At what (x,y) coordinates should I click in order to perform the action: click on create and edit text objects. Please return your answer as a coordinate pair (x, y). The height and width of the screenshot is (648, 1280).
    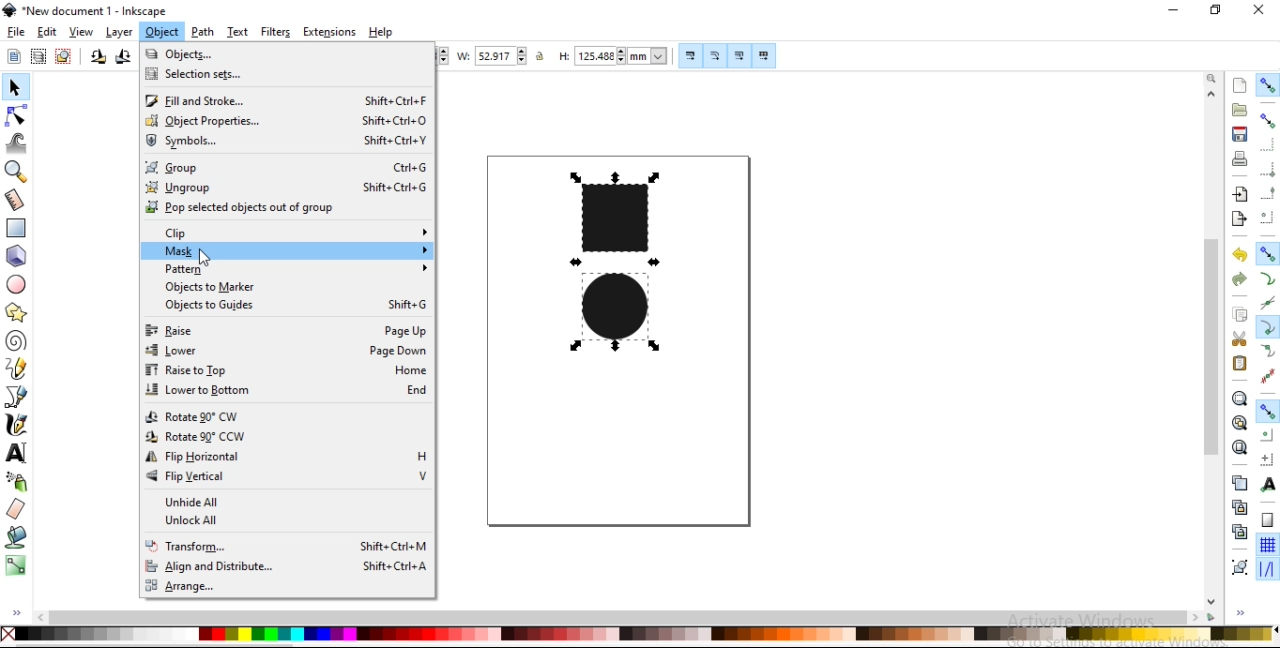
    Looking at the image, I should click on (16, 452).